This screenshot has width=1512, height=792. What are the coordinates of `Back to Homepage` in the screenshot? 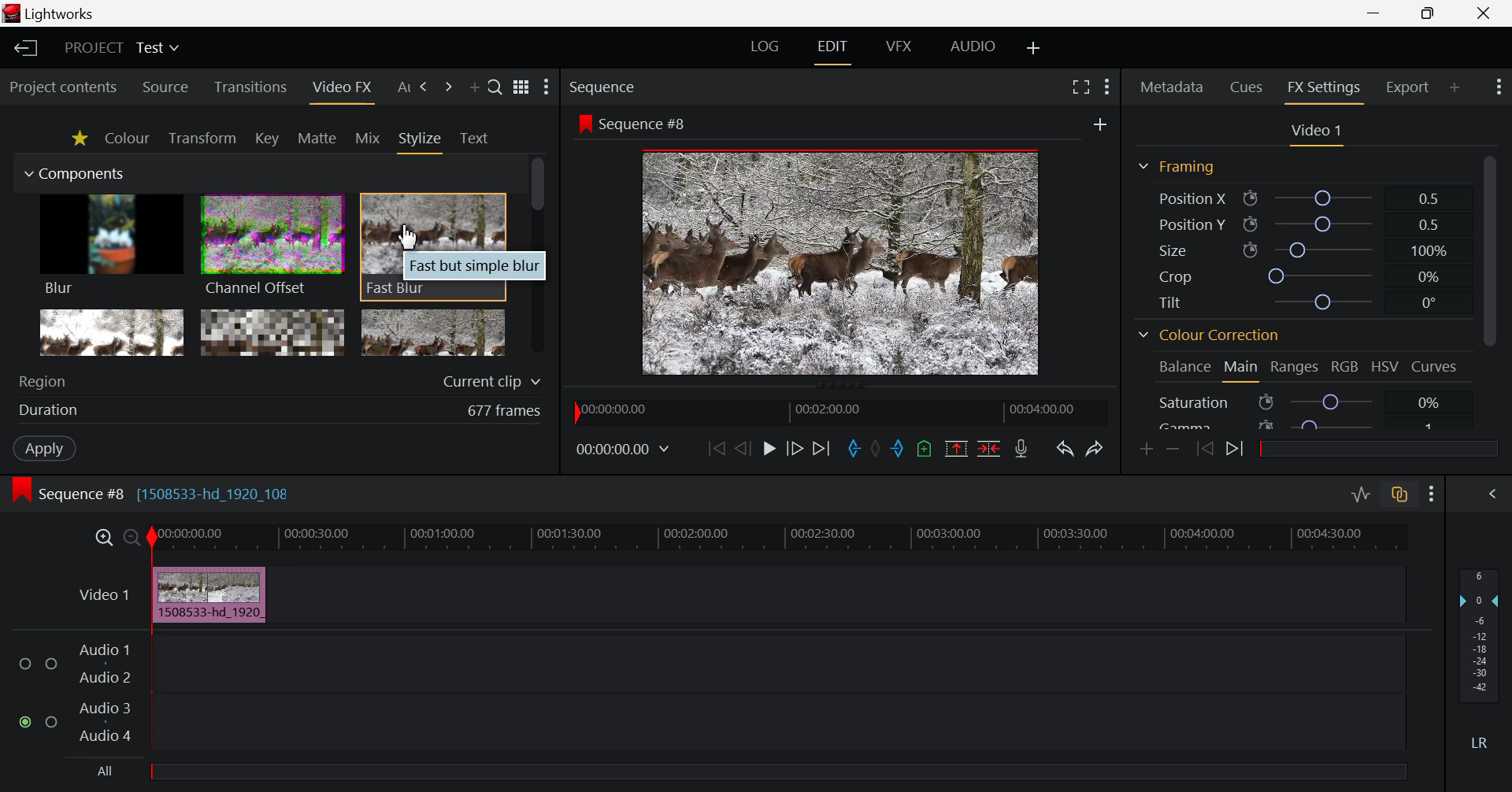 It's located at (22, 50).